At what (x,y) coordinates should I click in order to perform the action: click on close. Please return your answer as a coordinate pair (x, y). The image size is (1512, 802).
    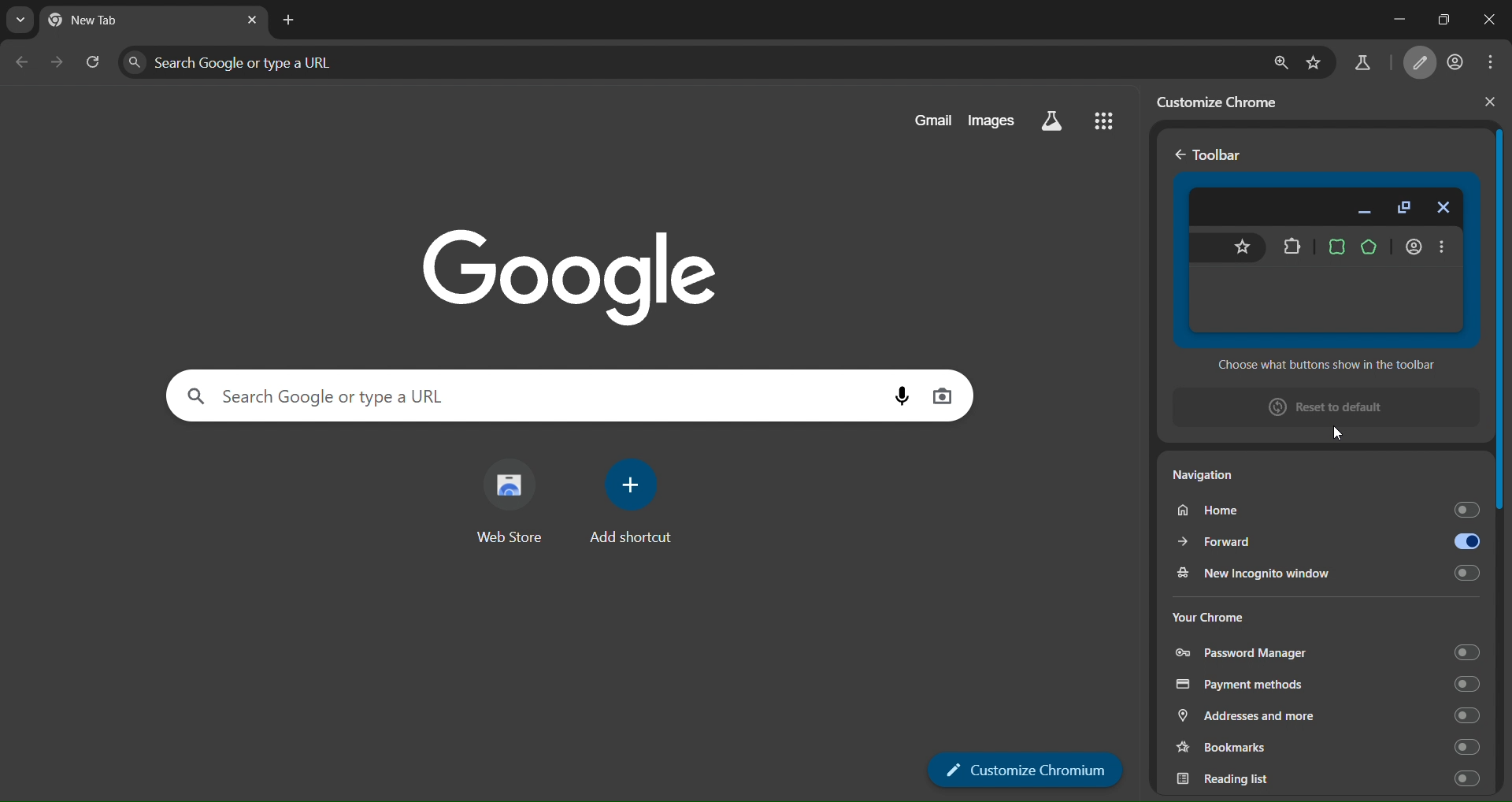
    Looking at the image, I should click on (1491, 22).